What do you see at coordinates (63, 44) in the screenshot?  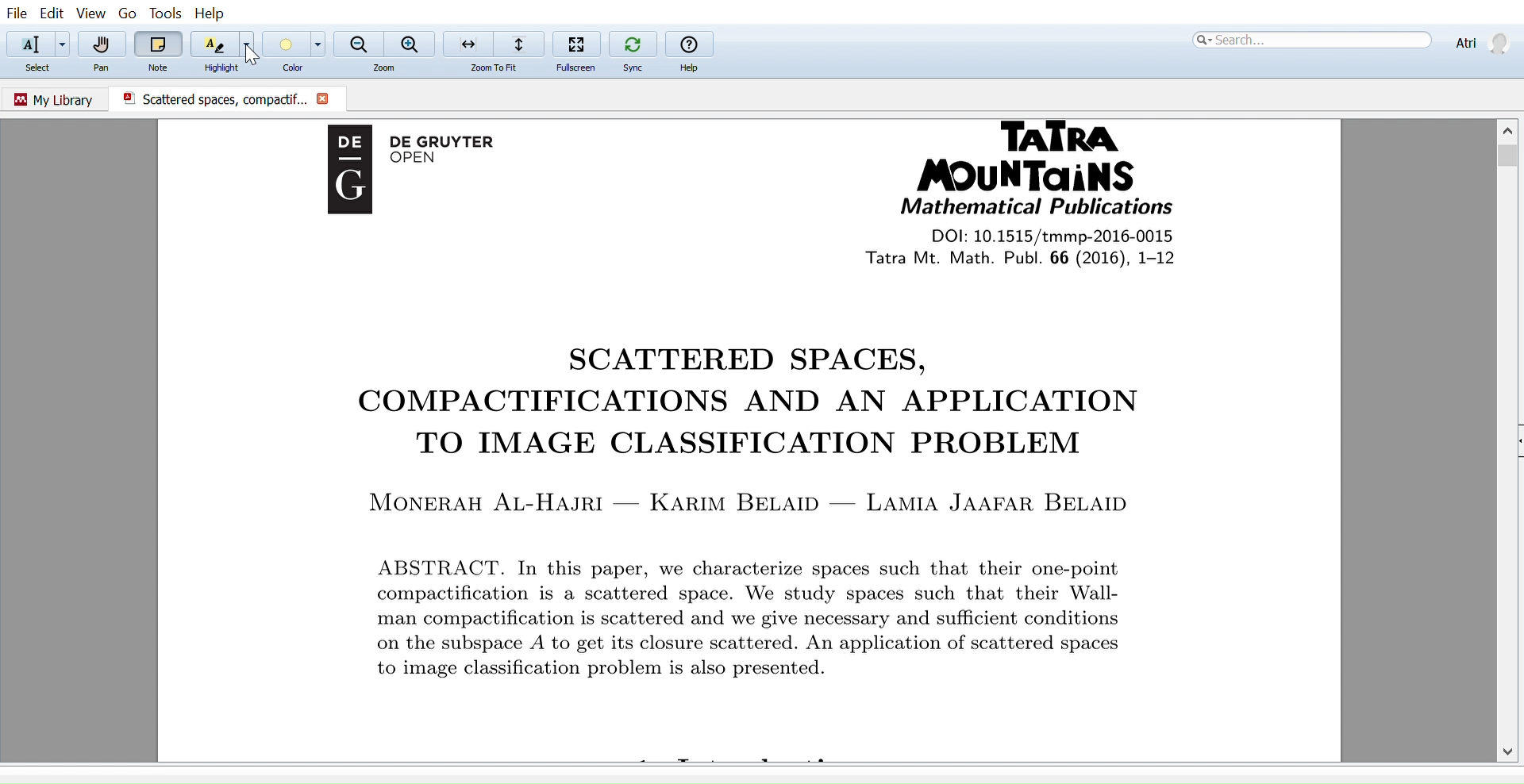 I see `Add text options` at bounding box center [63, 44].